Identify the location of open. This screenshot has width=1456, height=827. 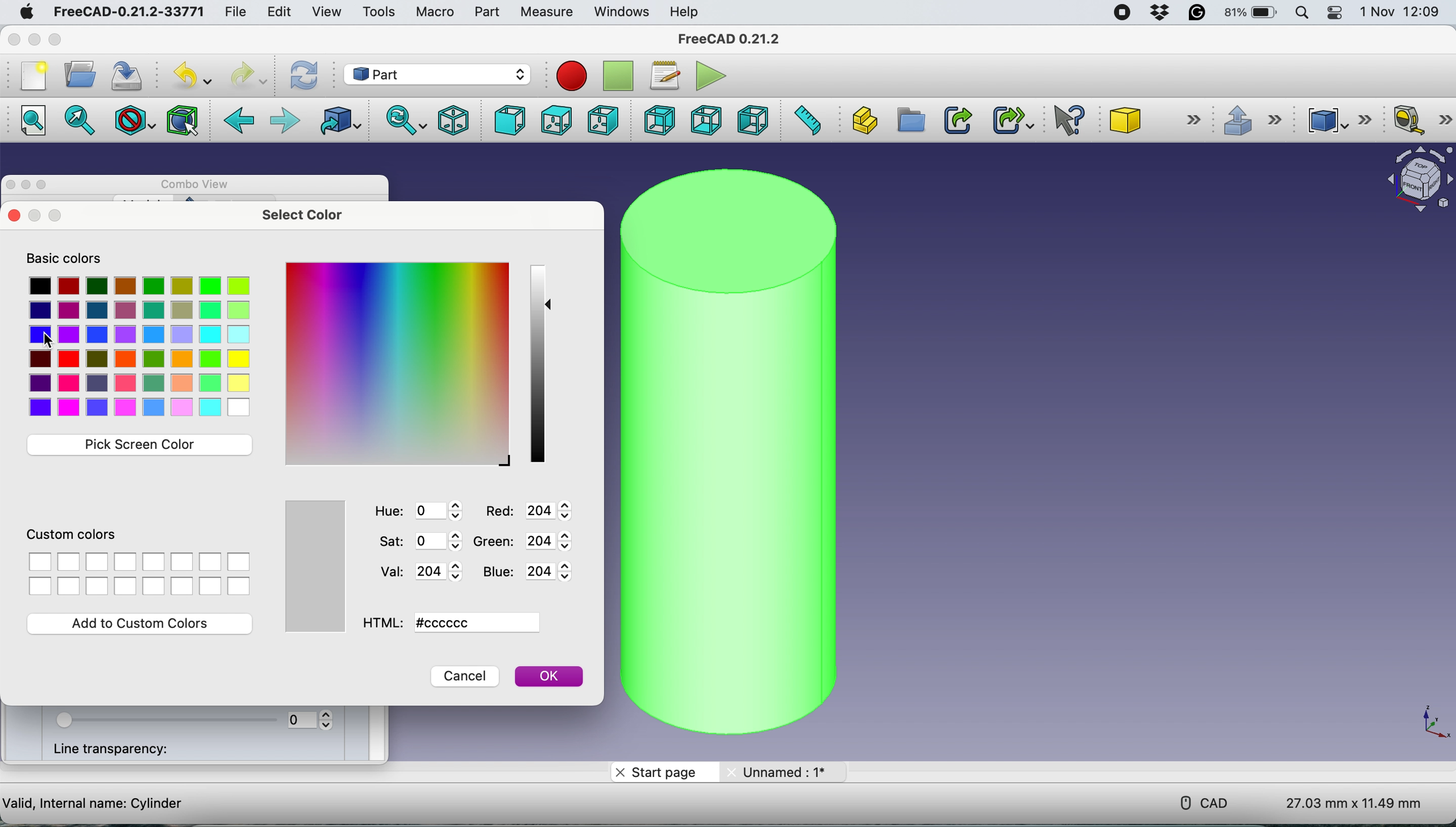
(78, 76).